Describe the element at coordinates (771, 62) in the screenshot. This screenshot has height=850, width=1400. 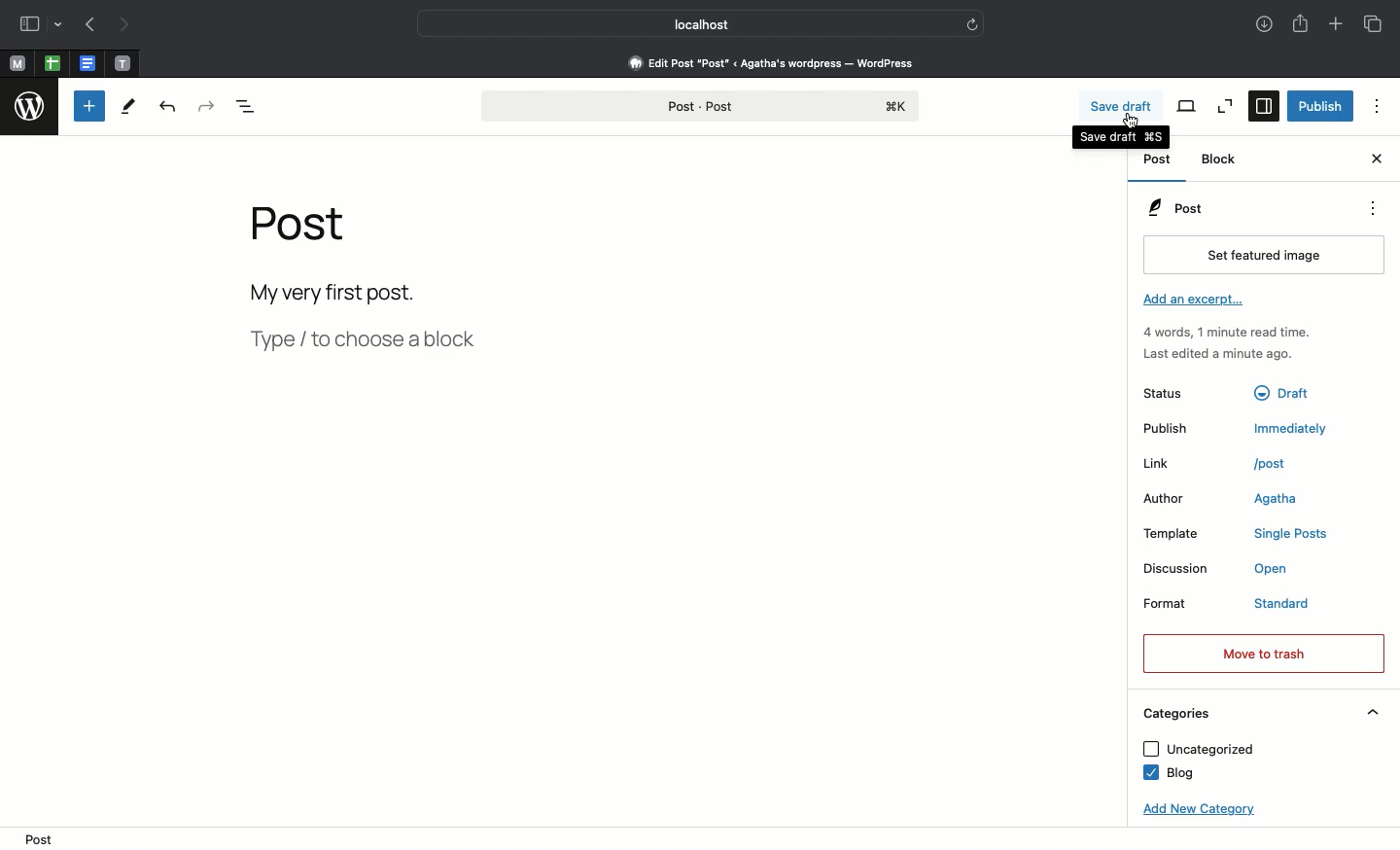
I see `Edit Post "Post" < Agatha's wordpress — WordPress` at that location.